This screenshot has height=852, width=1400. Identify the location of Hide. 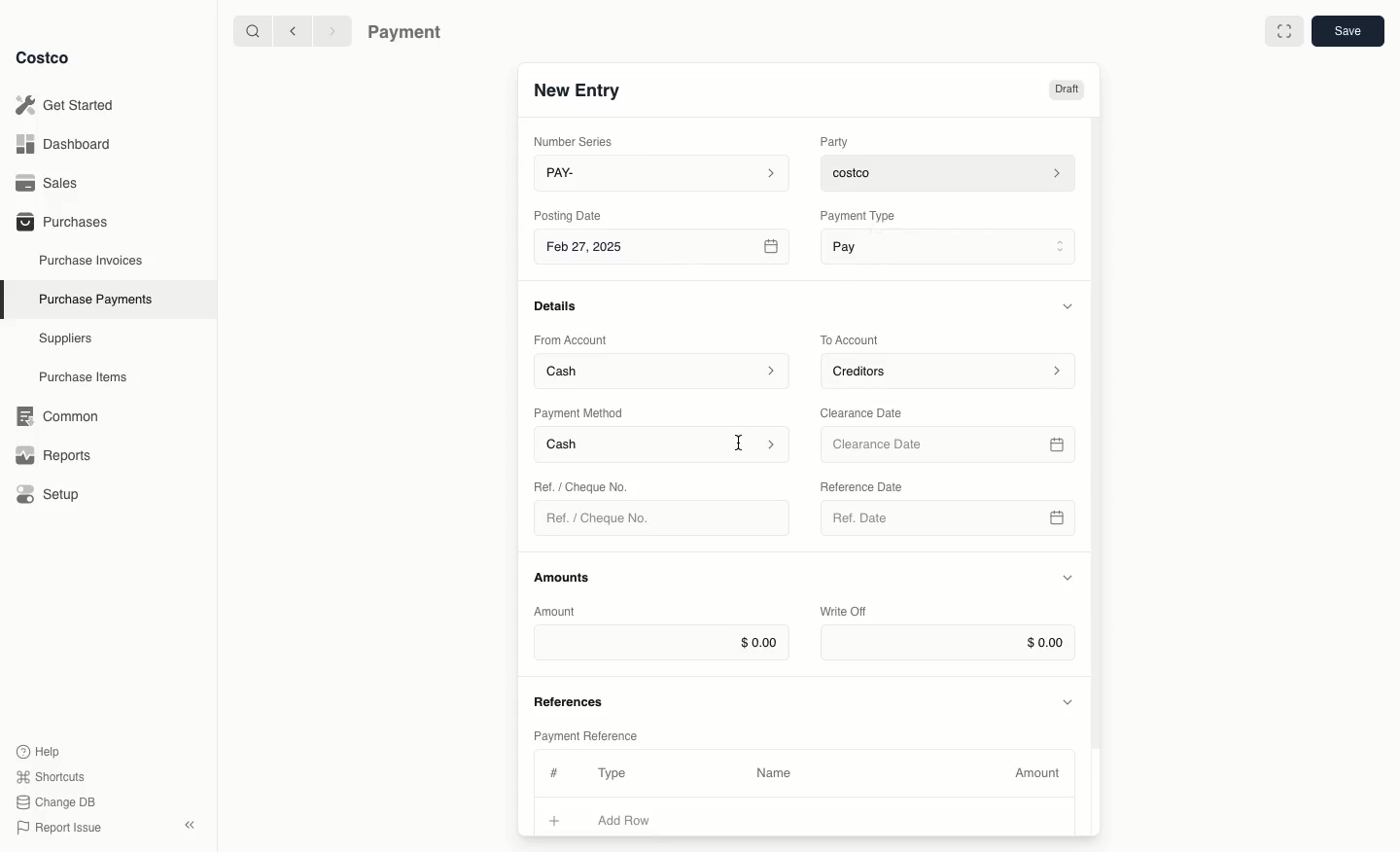
(1070, 305).